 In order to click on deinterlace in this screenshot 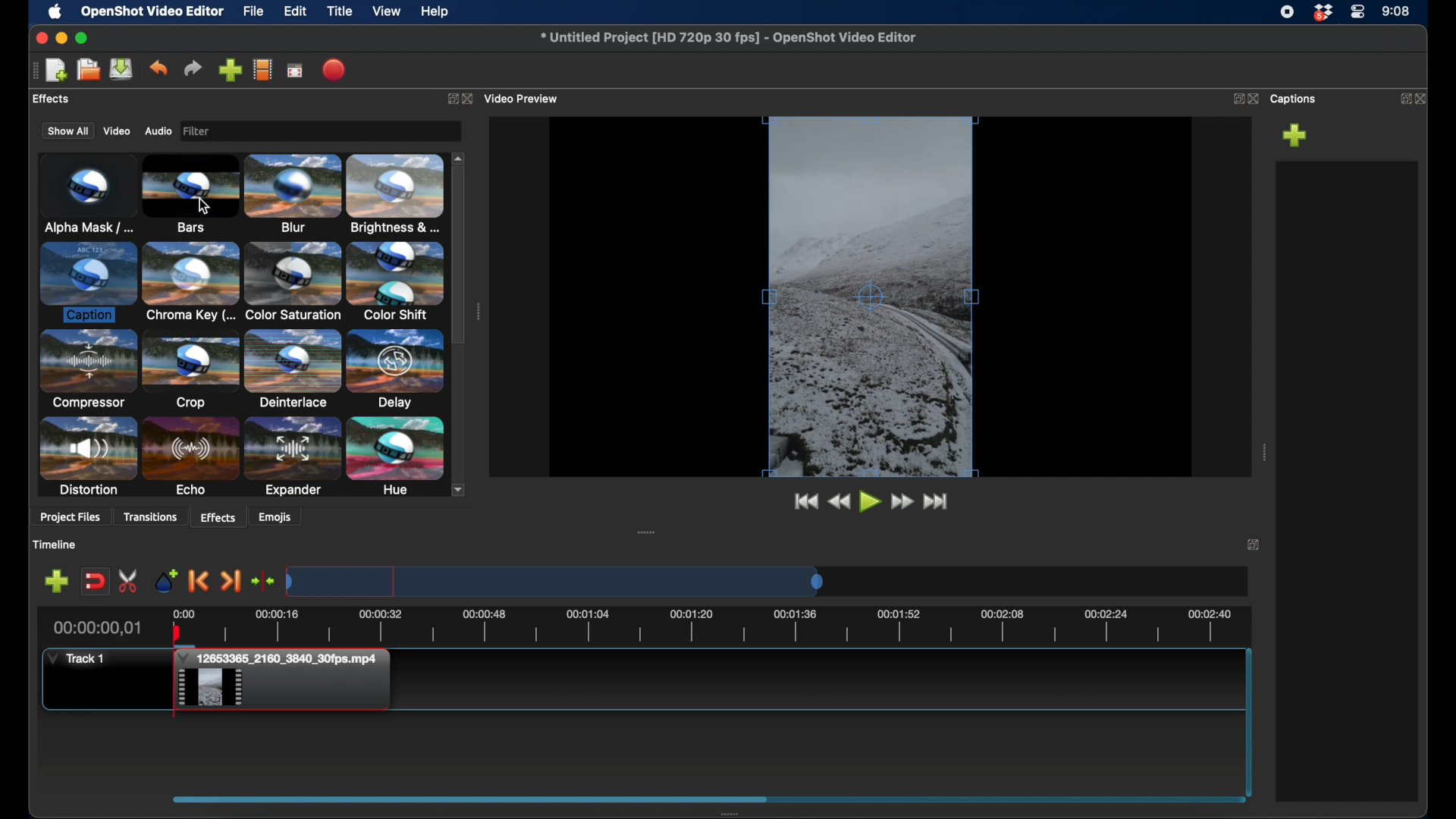, I will do `click(291, 370)`.